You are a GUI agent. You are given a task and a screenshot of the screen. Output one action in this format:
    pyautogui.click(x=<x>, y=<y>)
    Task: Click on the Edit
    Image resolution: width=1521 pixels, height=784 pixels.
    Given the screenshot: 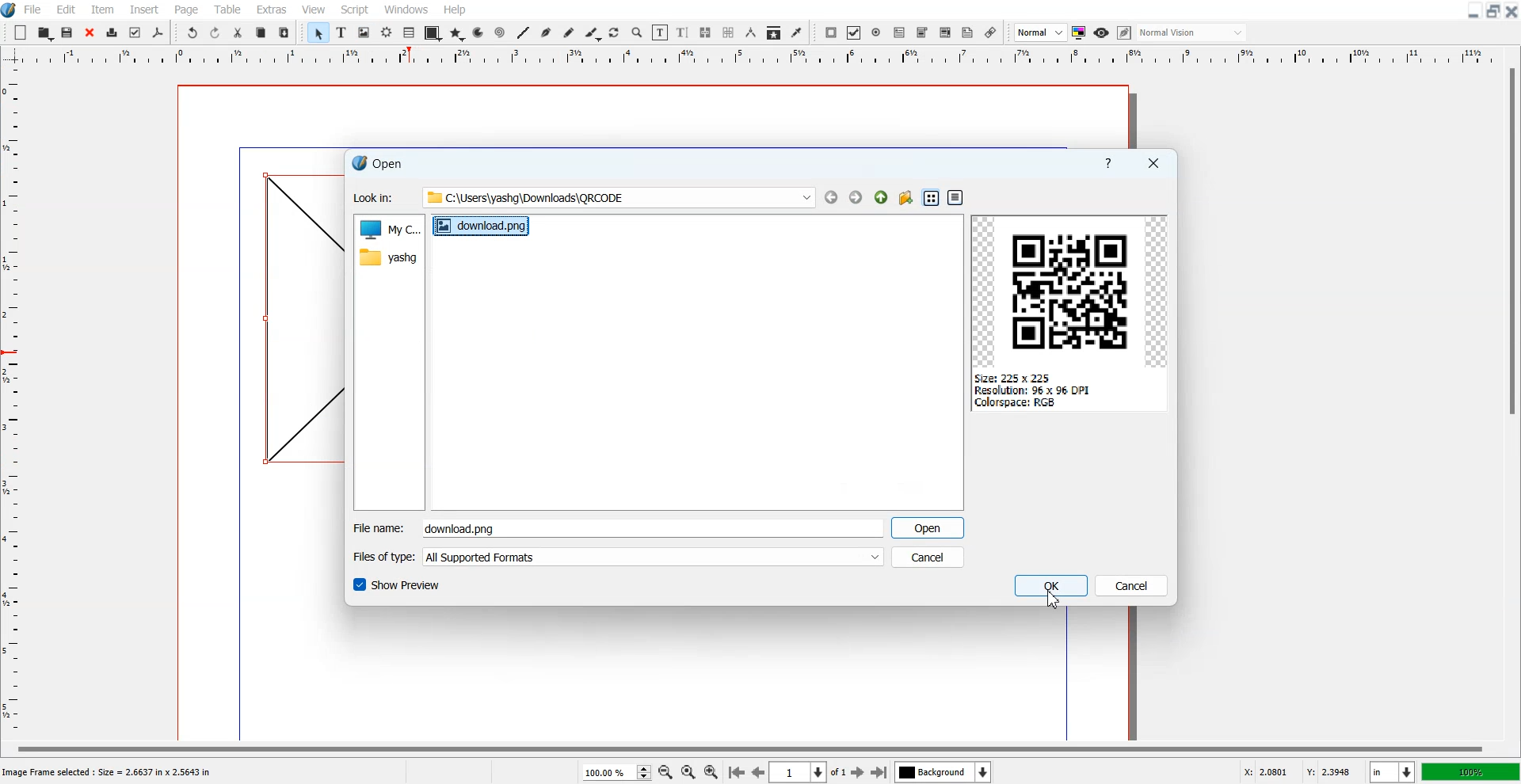 What is the action you would take?
    pyautogui.click(x=66, y=9)
    